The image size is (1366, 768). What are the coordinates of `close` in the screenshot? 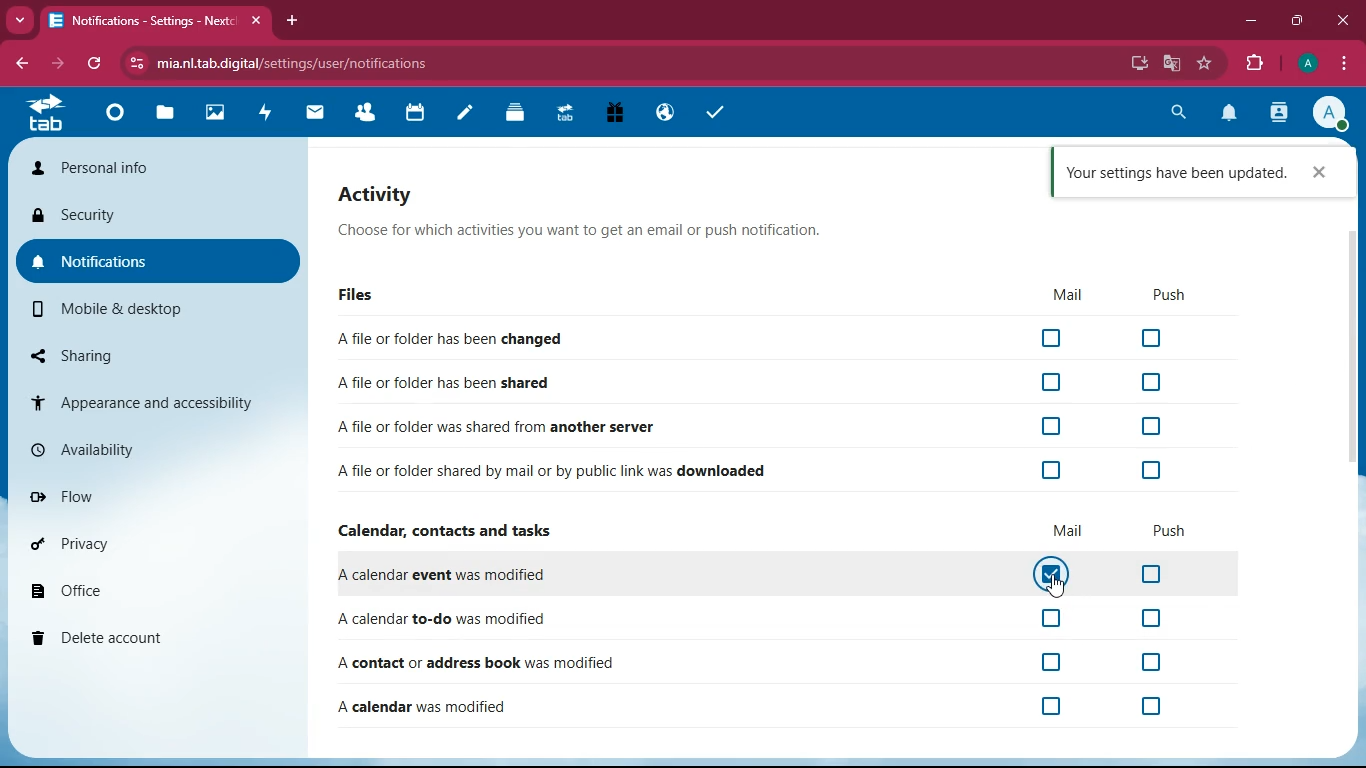 It's located at (1320, 172).